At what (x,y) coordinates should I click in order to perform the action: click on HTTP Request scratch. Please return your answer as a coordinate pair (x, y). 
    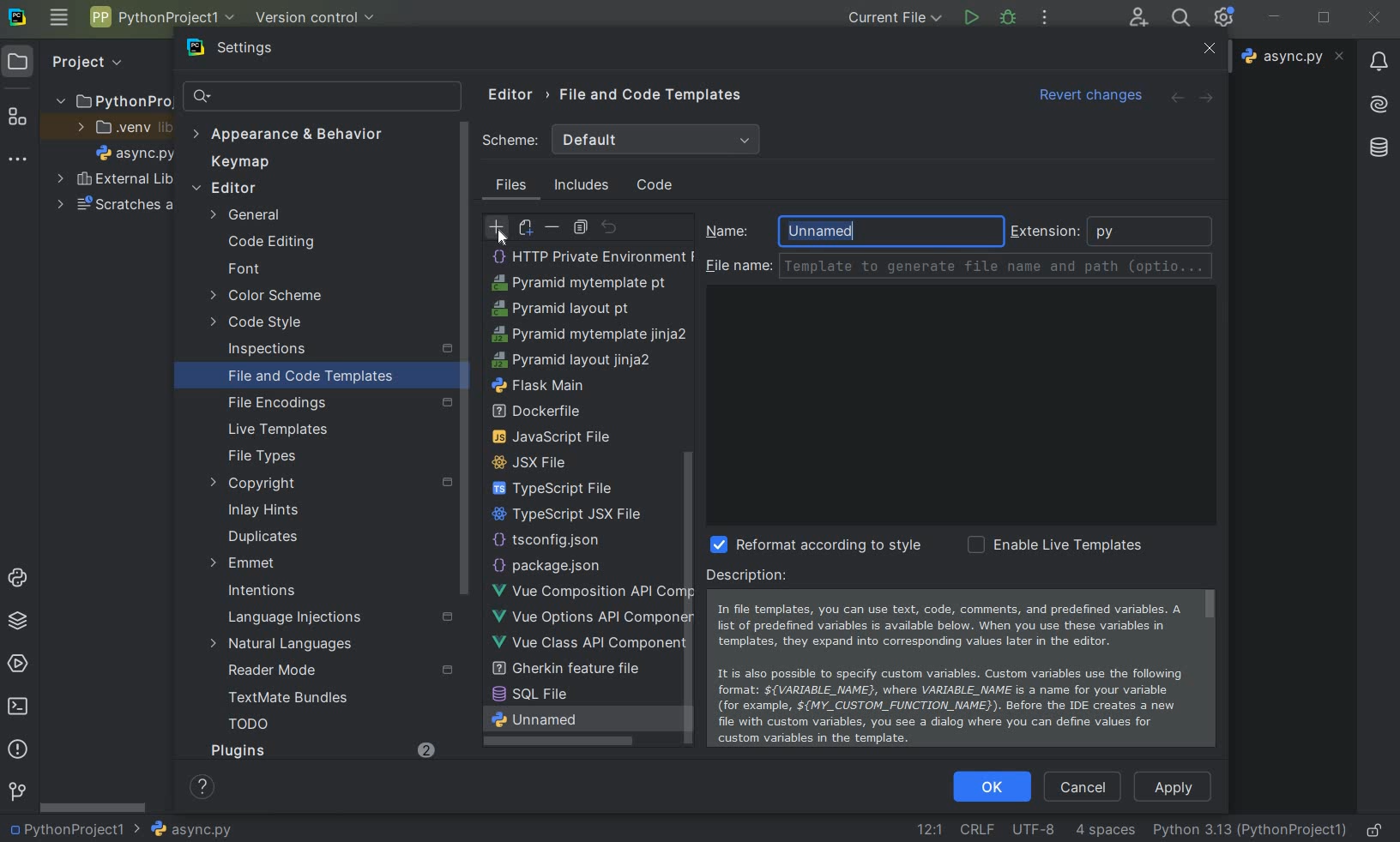
    Looking at the image, I should click on (577, 564).